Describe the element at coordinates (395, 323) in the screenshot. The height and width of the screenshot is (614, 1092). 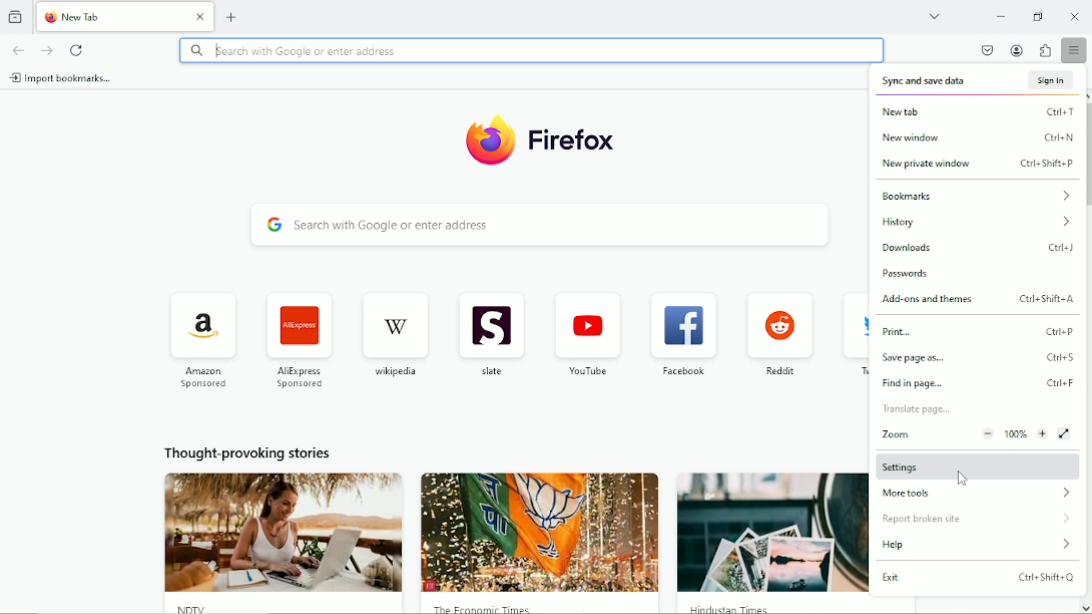
I see `icon` at that location.